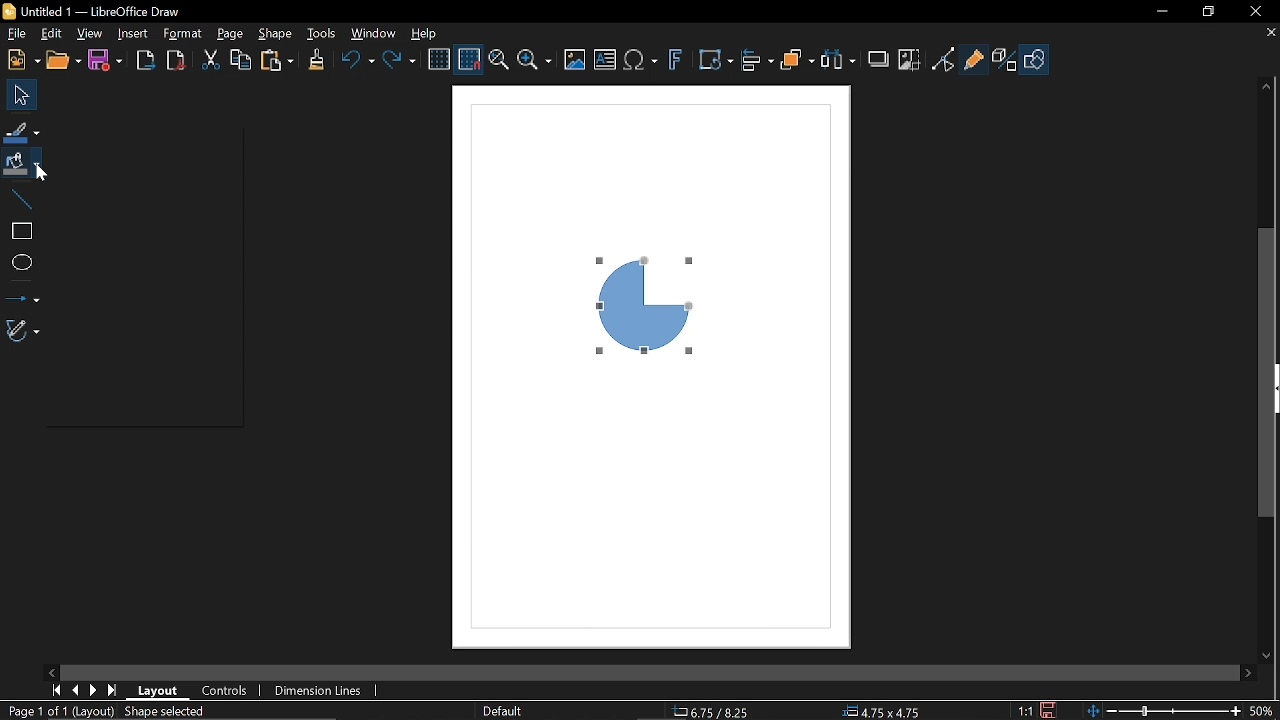 The image size is (1280, 720). I want to click on Crop, so click(910, 60).